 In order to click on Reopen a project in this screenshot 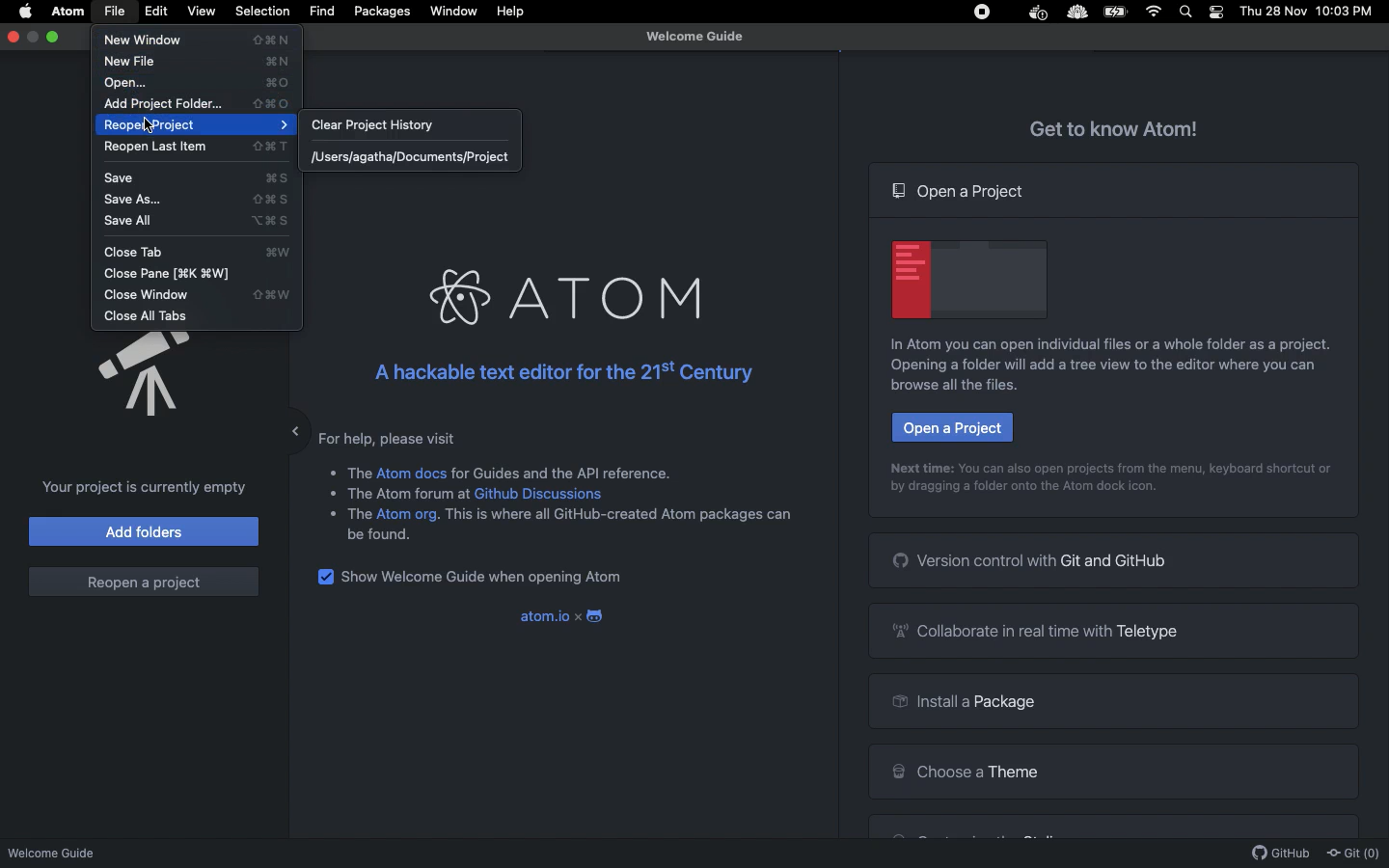, I will do `click(143, 582)`.